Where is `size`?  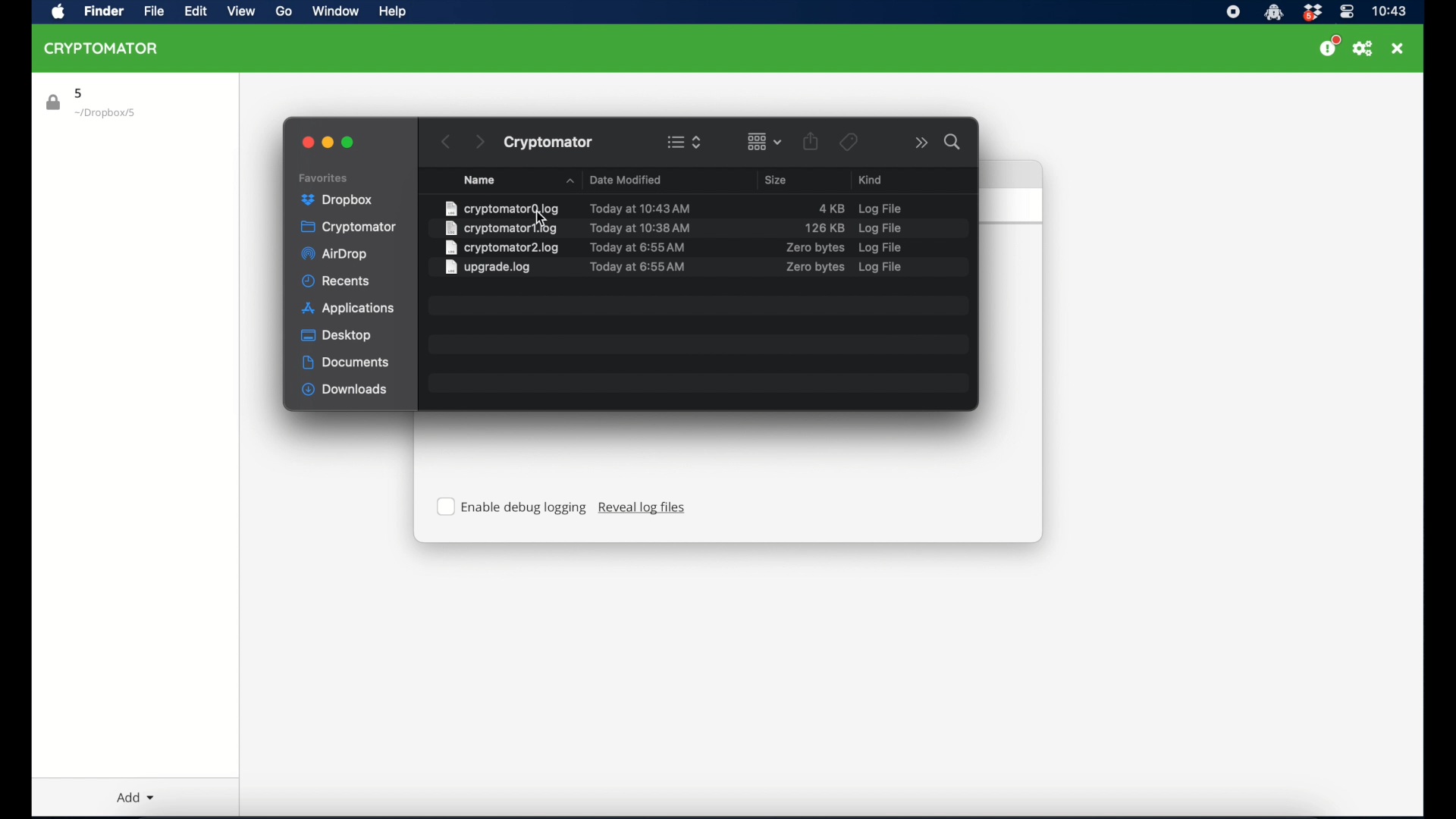
size is located at coordinates (776, 180).